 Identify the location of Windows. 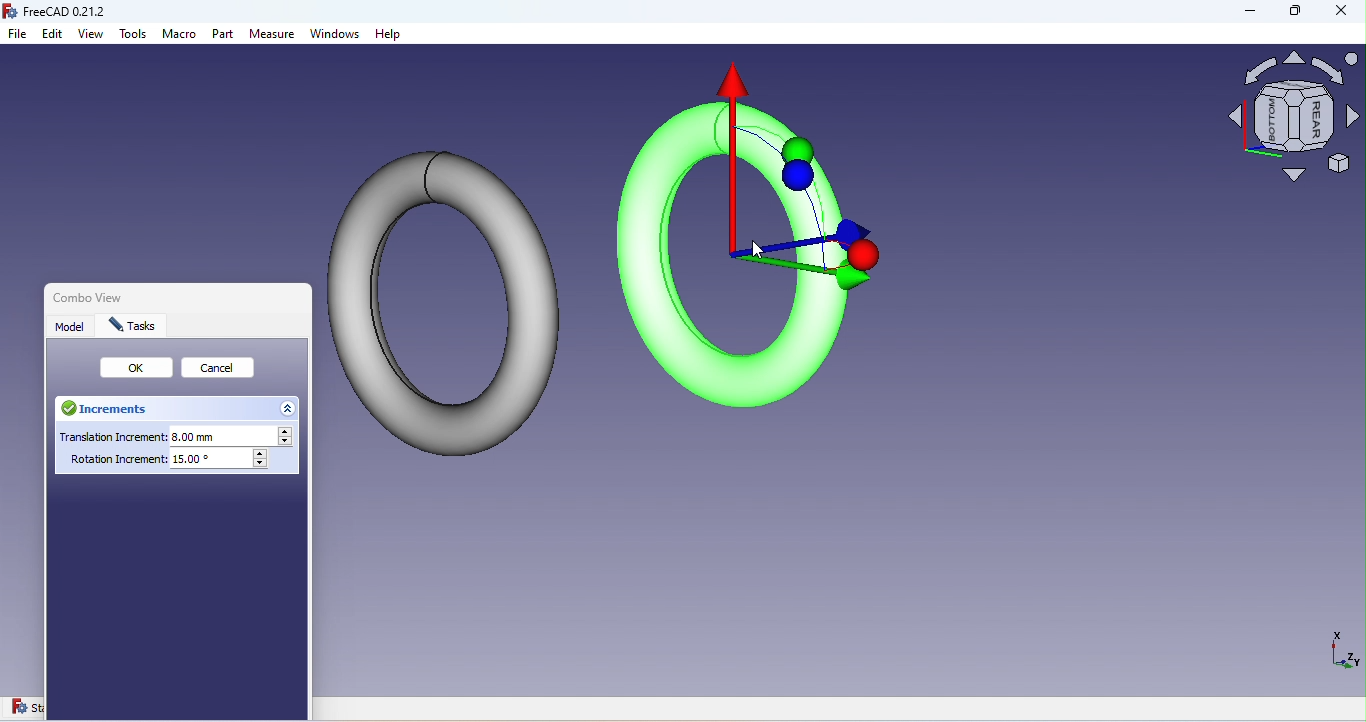
(336, 36).